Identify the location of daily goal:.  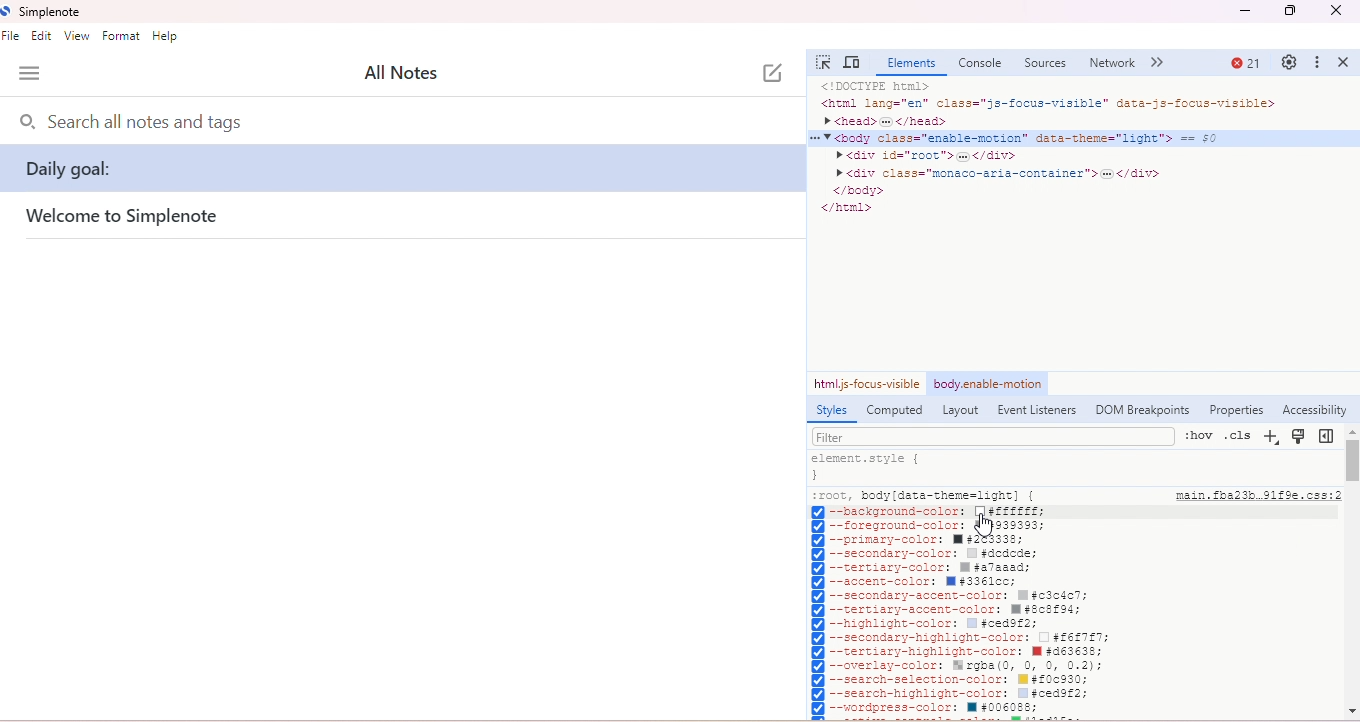
(402, 169).